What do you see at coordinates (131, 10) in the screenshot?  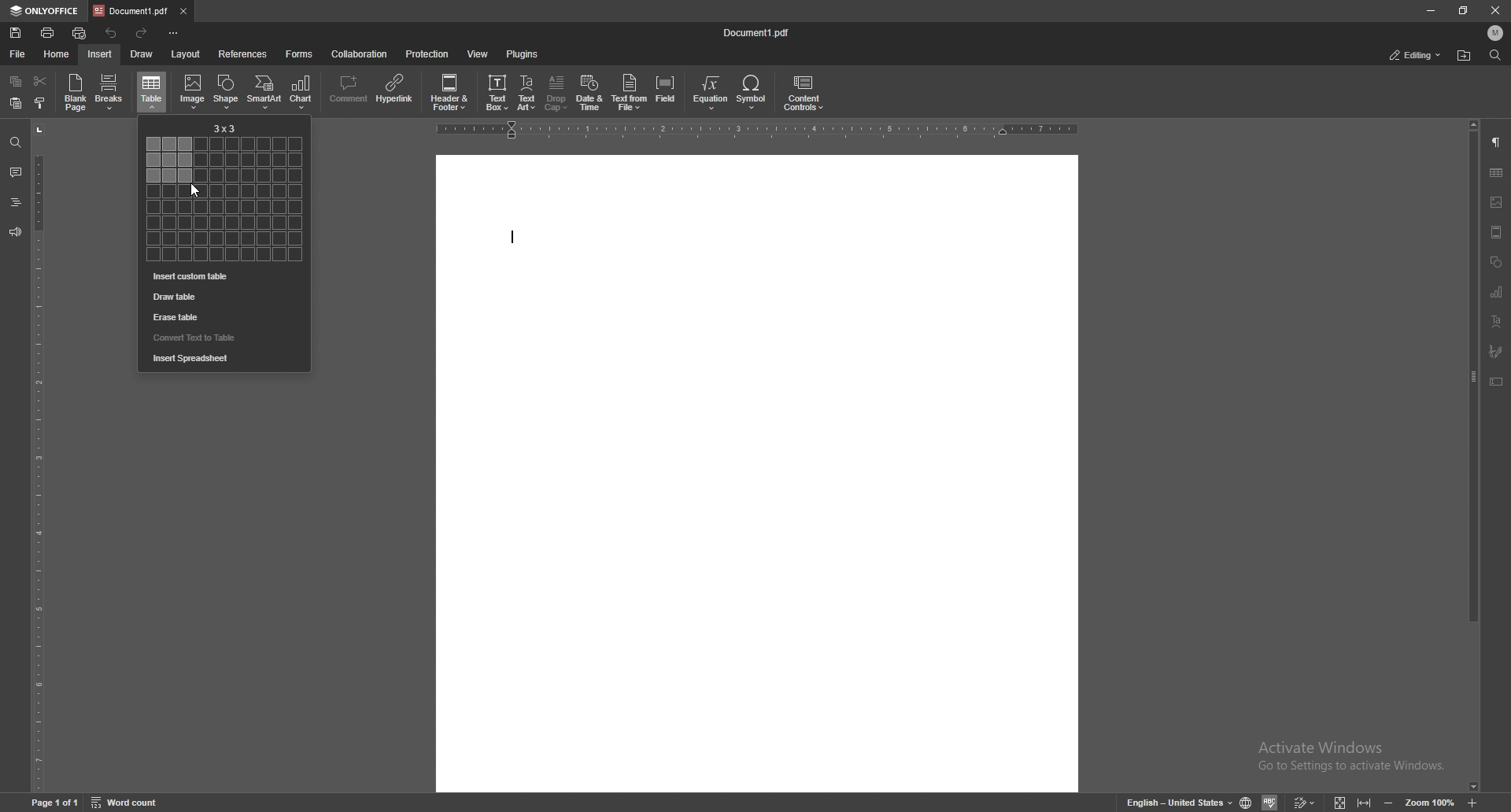 I see `tab` at bounding box center [131, 10].